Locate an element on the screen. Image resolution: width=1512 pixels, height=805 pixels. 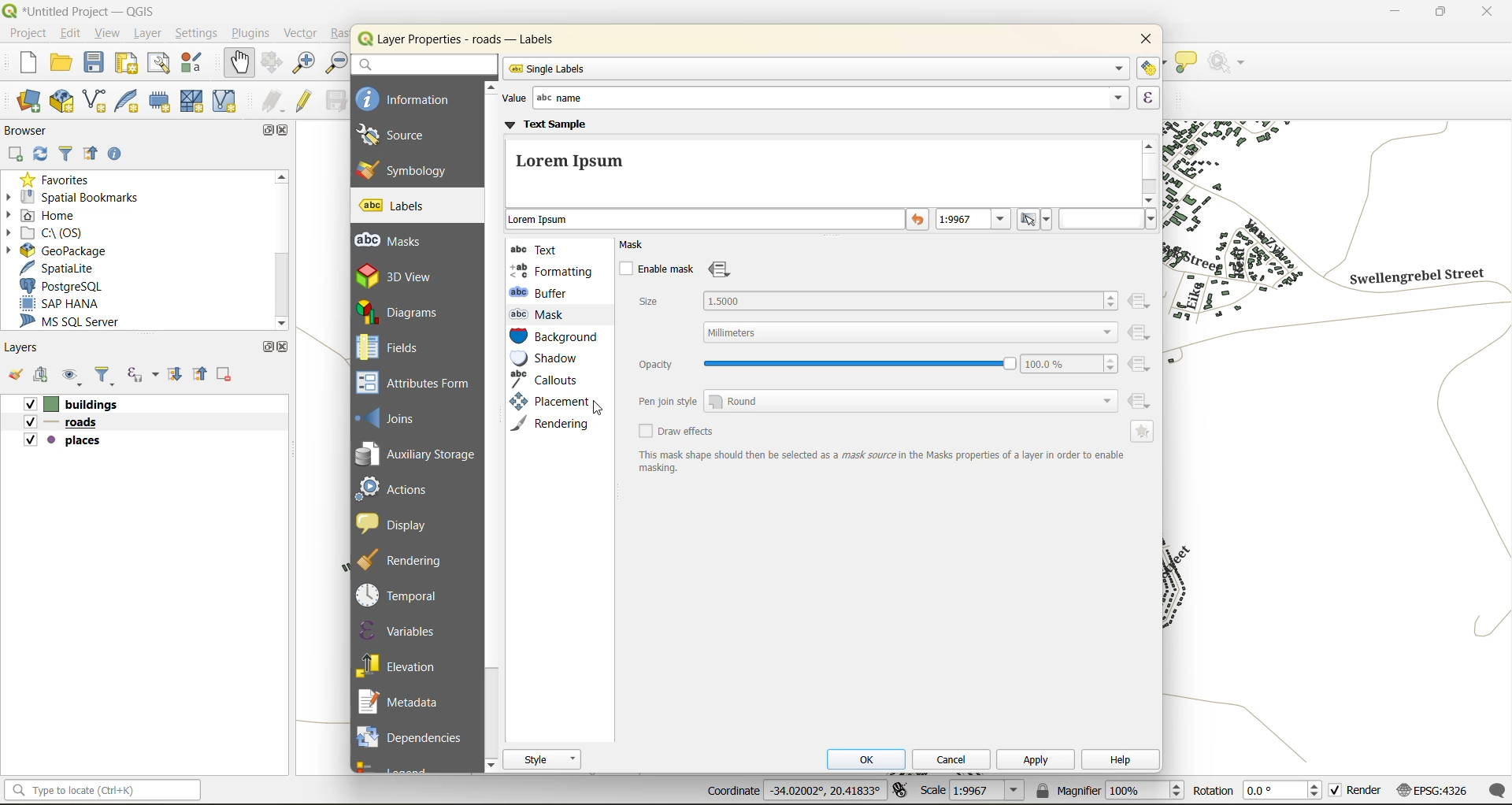
new geopackage layer is located at coordinates (66, 105).